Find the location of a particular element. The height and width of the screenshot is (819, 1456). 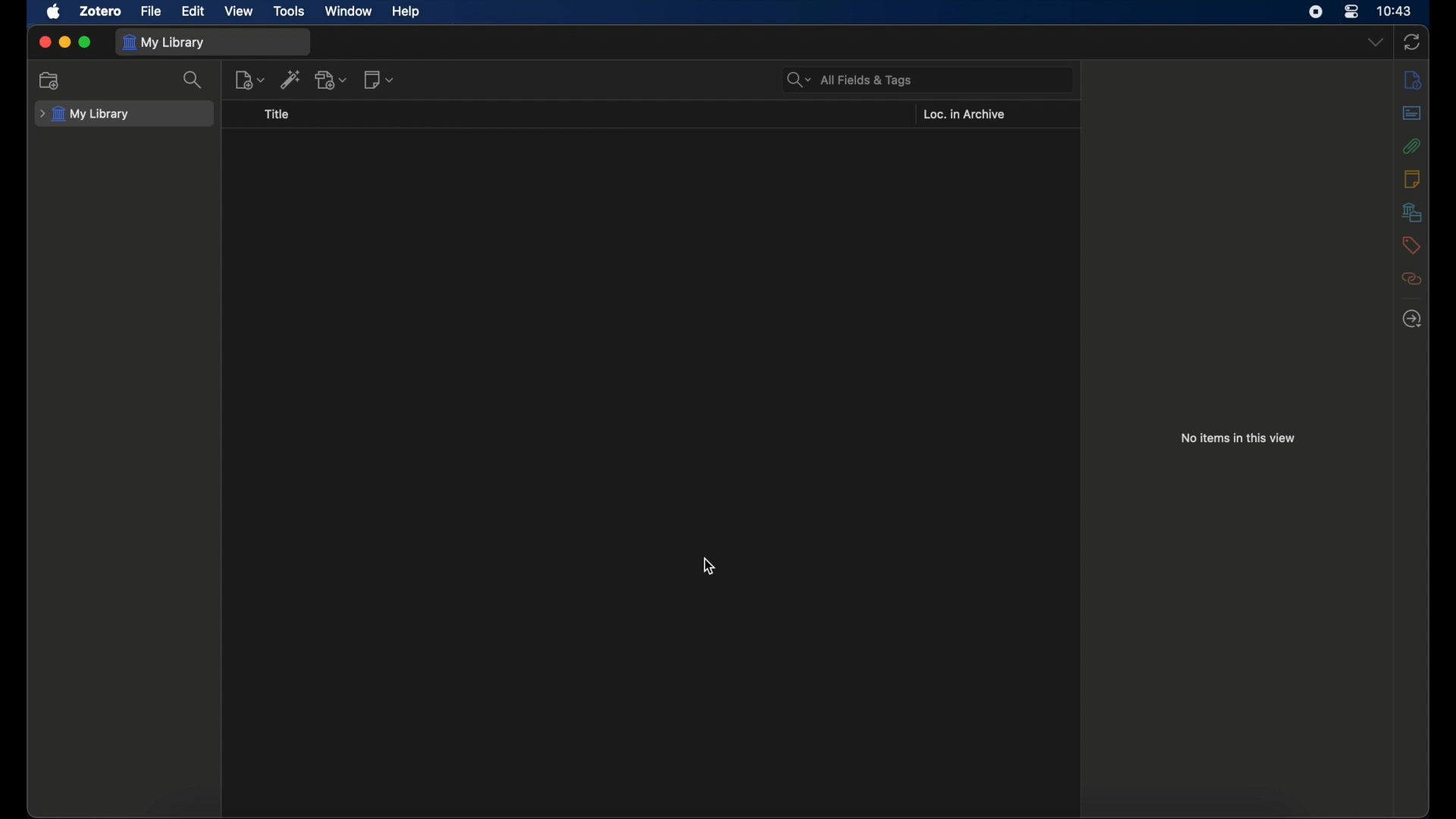

info is located at coordinates (1412, 80).